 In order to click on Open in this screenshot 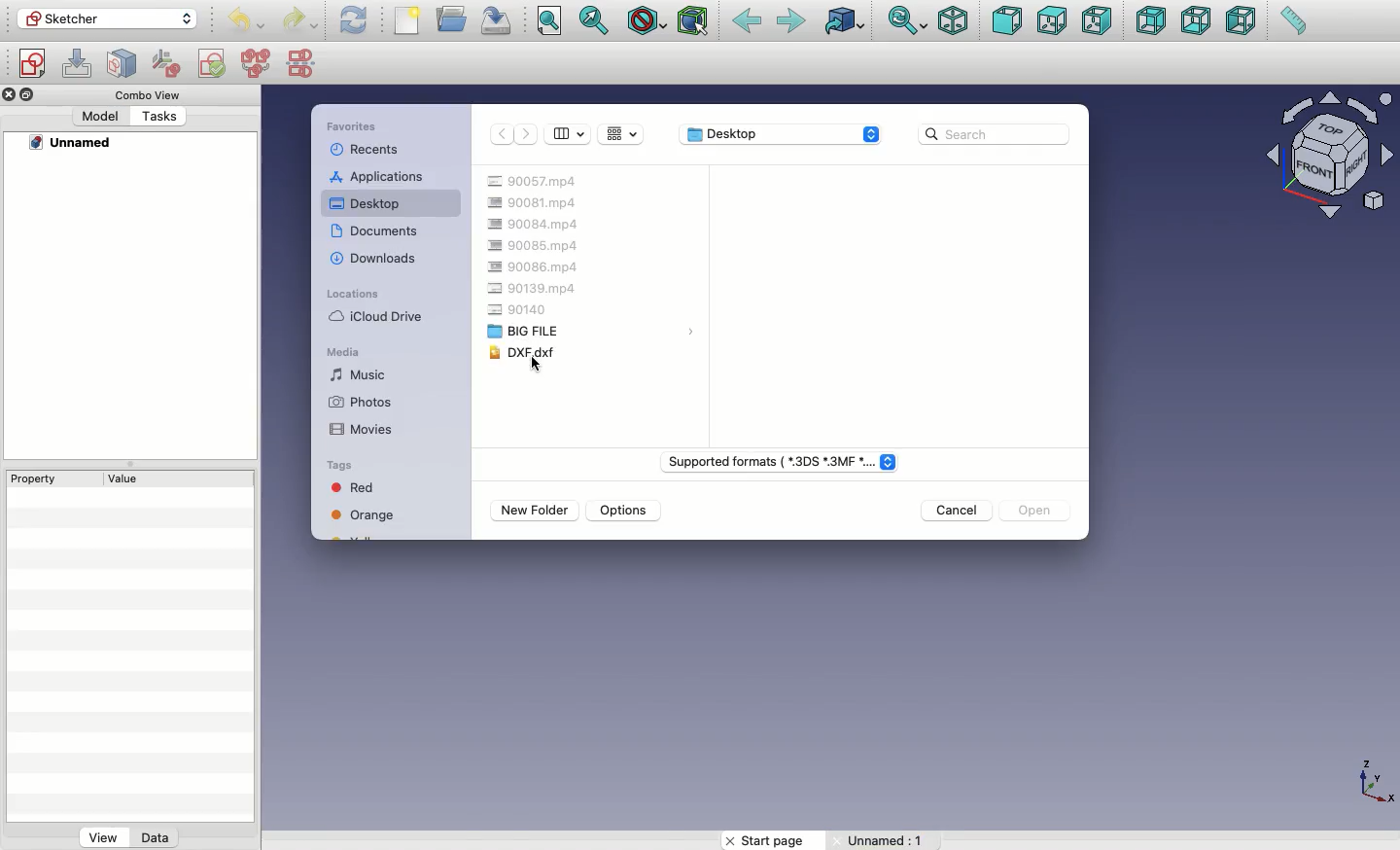, I will do `click(1039, 511)`.